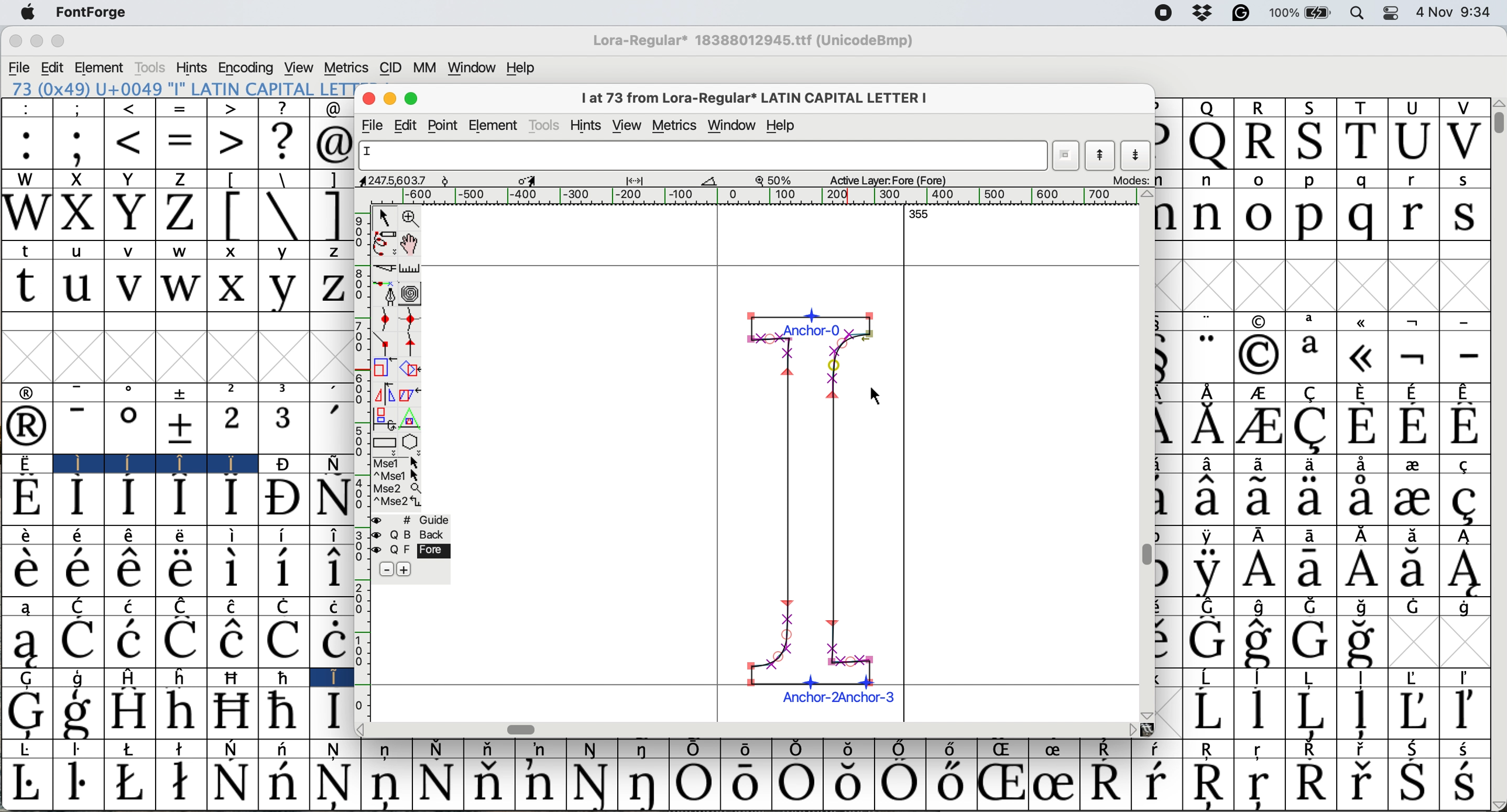 This screenshot has width=1507, height=812. What do you see at coordinates (410, 369) in the screenshot?
I see `rotate the selection` at bounding box center [410, 369].